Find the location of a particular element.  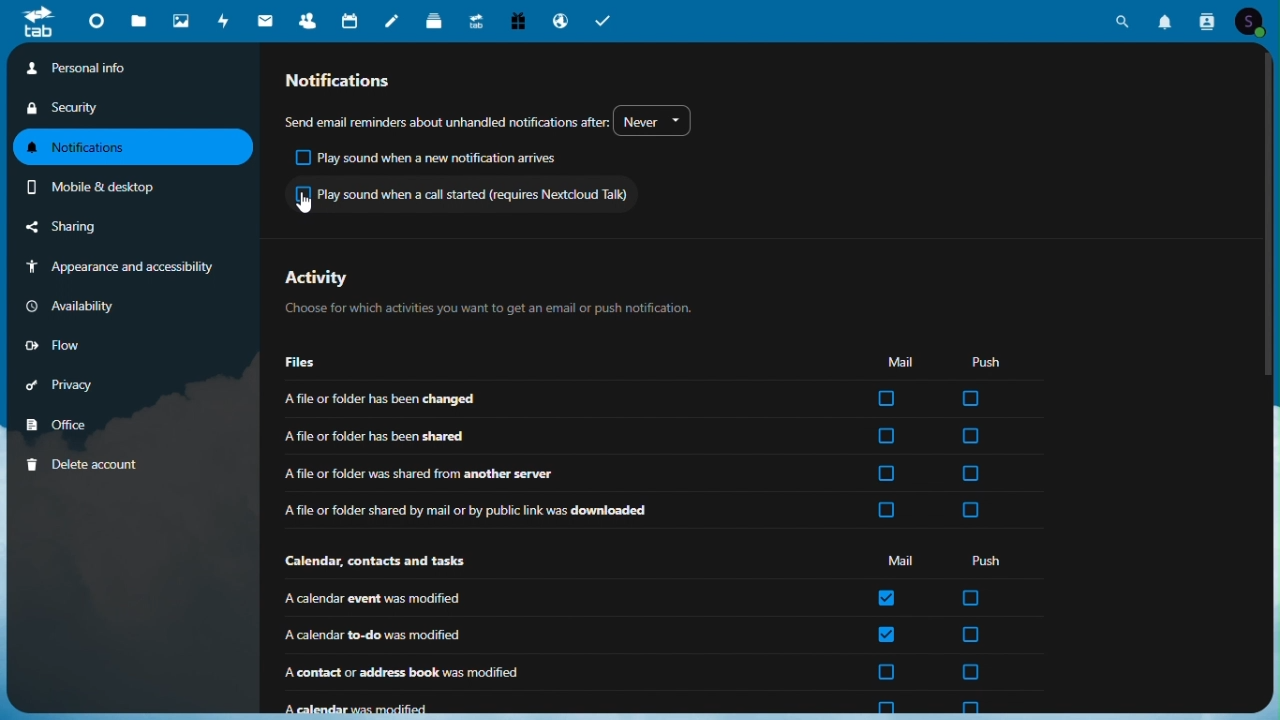

check box is located at coordinates (888, 474).